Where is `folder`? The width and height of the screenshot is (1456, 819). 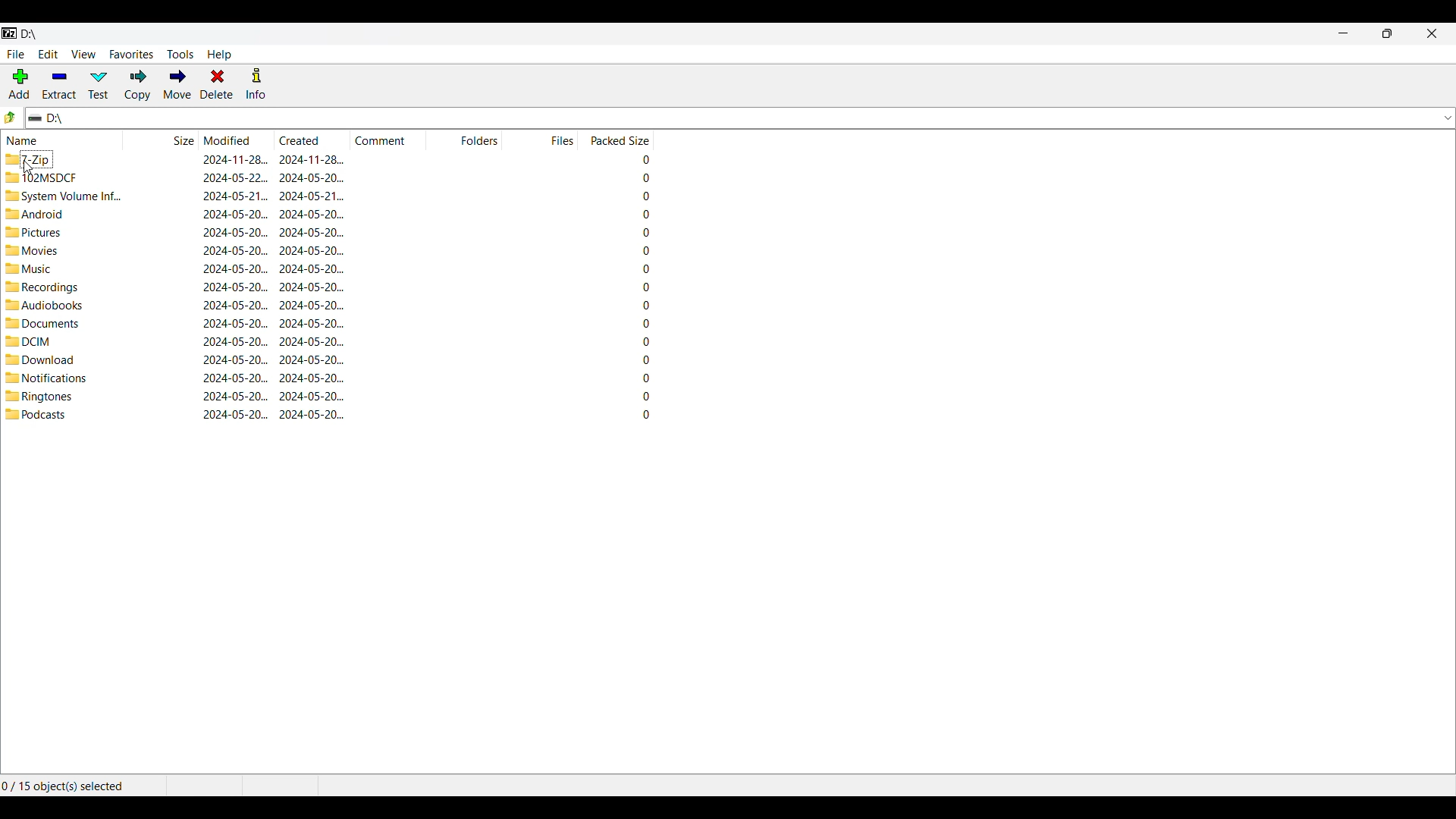 folder is located at coordinates (47, 378).